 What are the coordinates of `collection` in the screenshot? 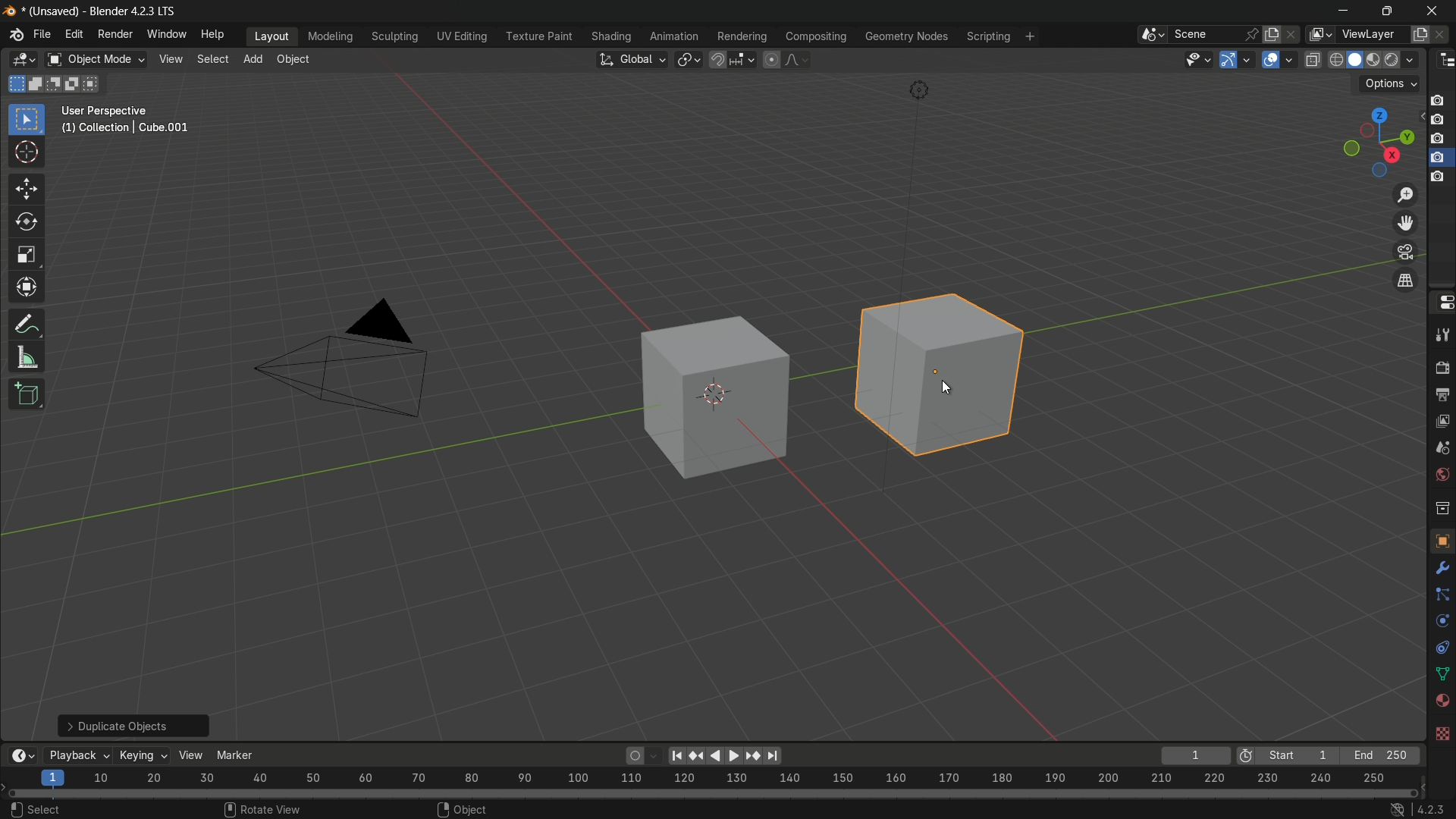 It's located at (1442, 508).